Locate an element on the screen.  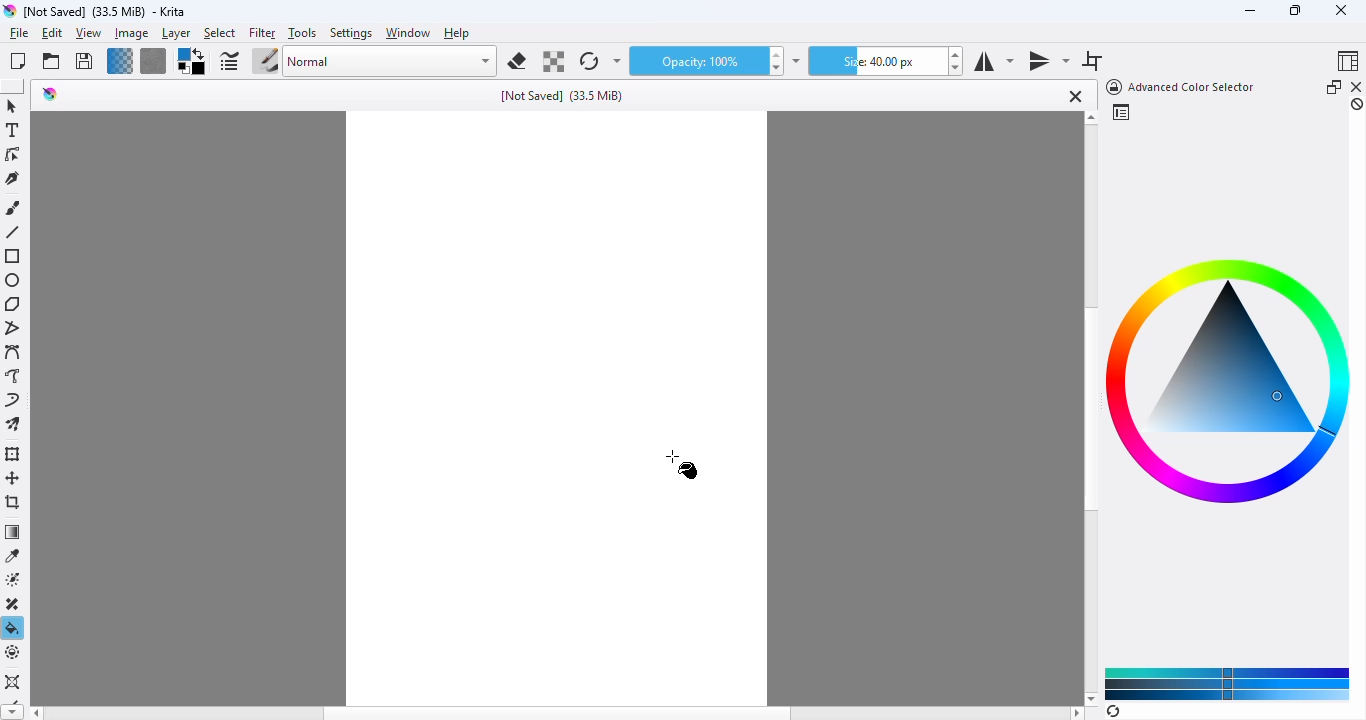
transform a layer or a selection is located at coordinates (15, 454).